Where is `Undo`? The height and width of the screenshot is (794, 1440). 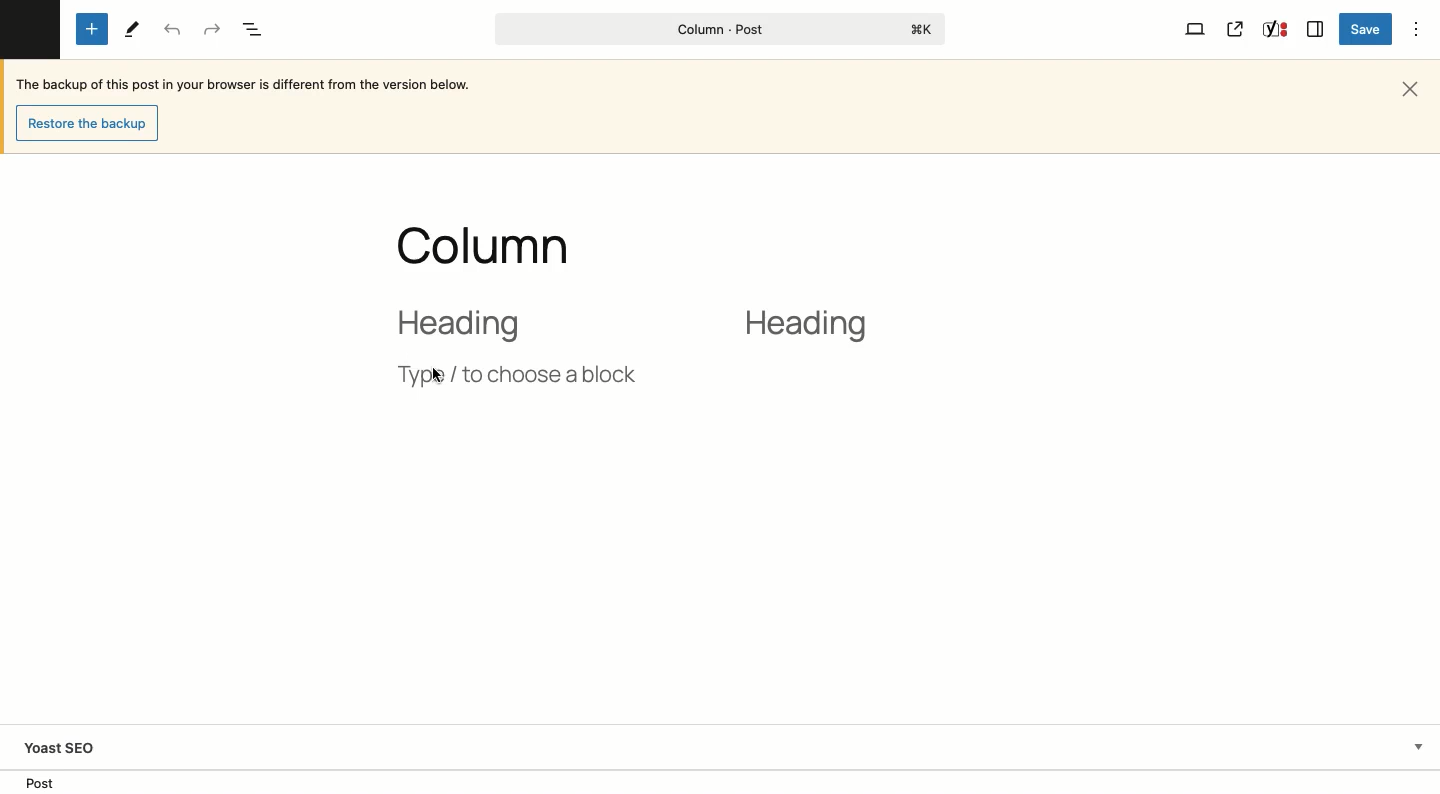
Undo is located at coordinates (174, 30).